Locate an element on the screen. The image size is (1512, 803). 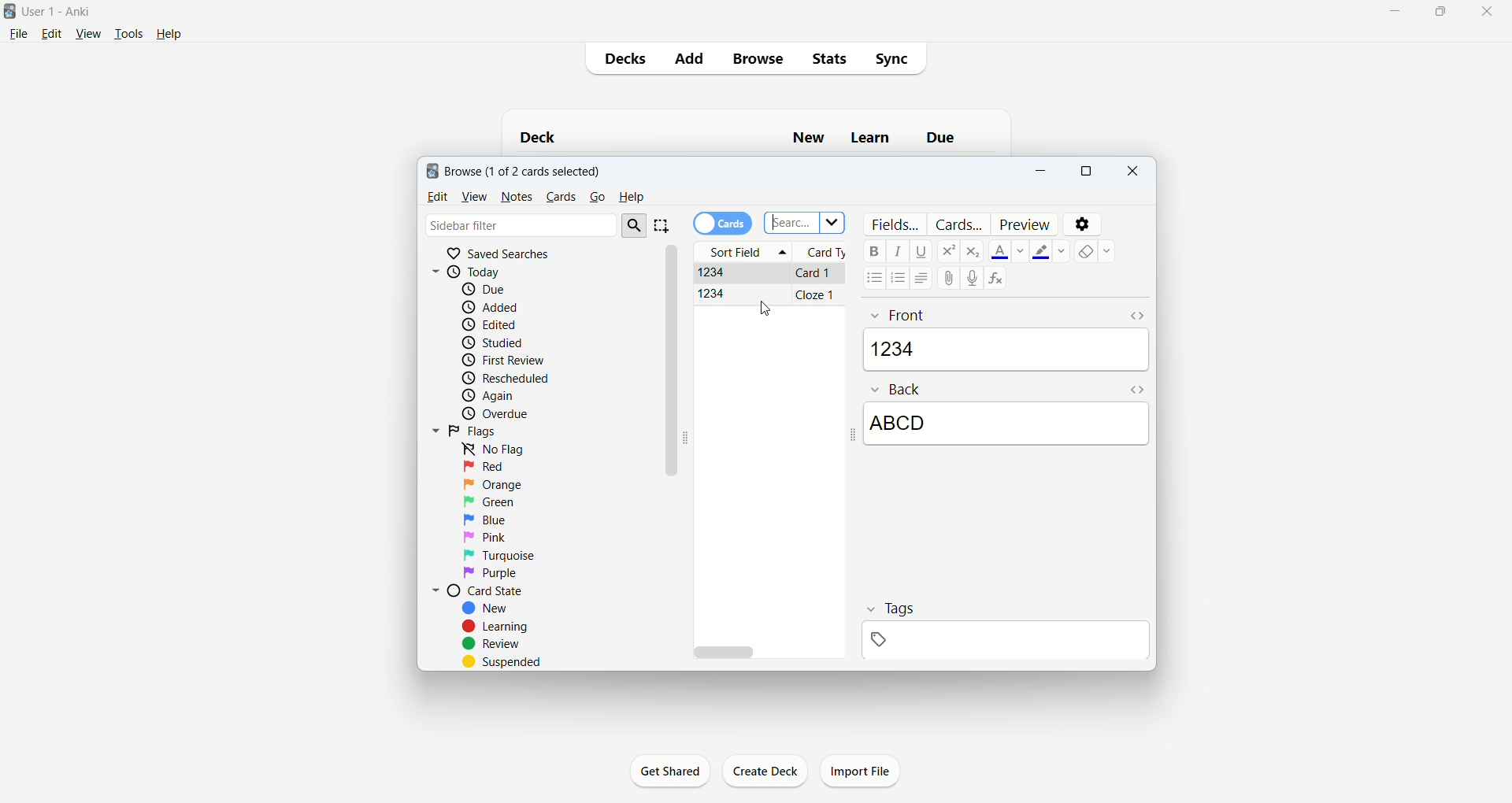
red is located at coordinates (484, 466).